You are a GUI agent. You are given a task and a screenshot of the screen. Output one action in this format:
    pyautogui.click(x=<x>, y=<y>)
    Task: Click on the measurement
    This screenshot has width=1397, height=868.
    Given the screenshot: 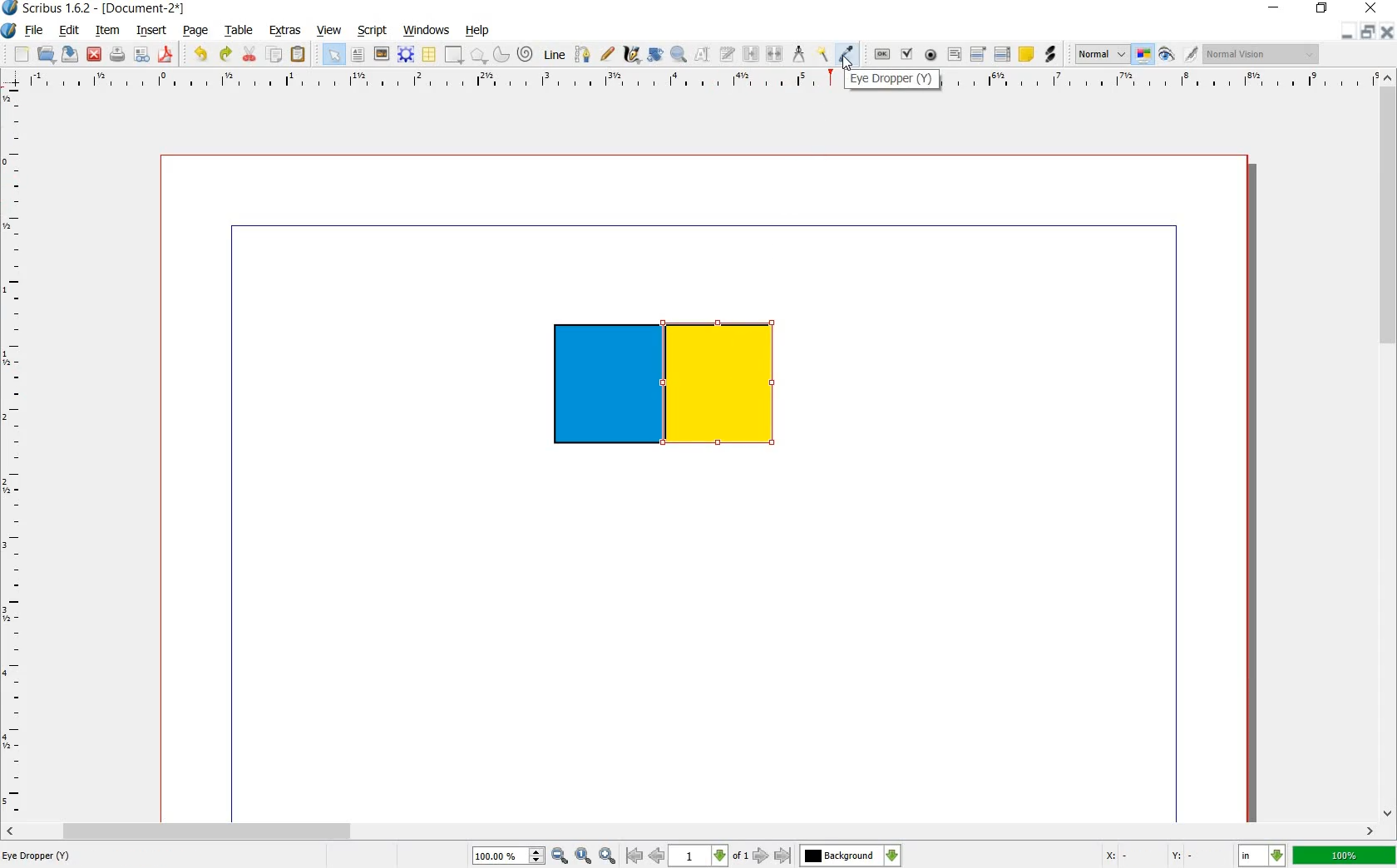 What is the action you would take?
    pyautogui.click(x=800, y=55)
    